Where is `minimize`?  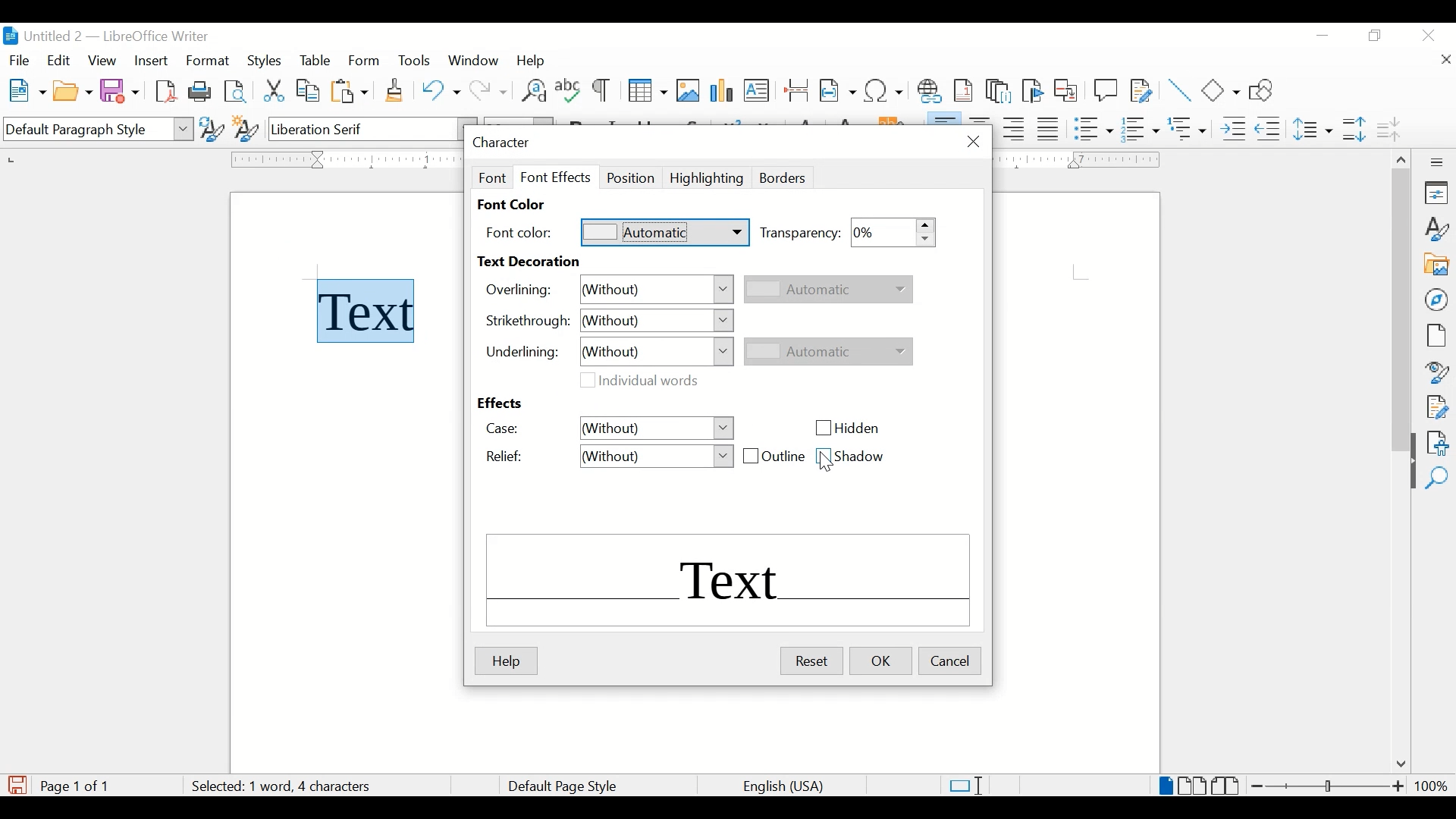
minimize is located at coordinates (1324, 36).